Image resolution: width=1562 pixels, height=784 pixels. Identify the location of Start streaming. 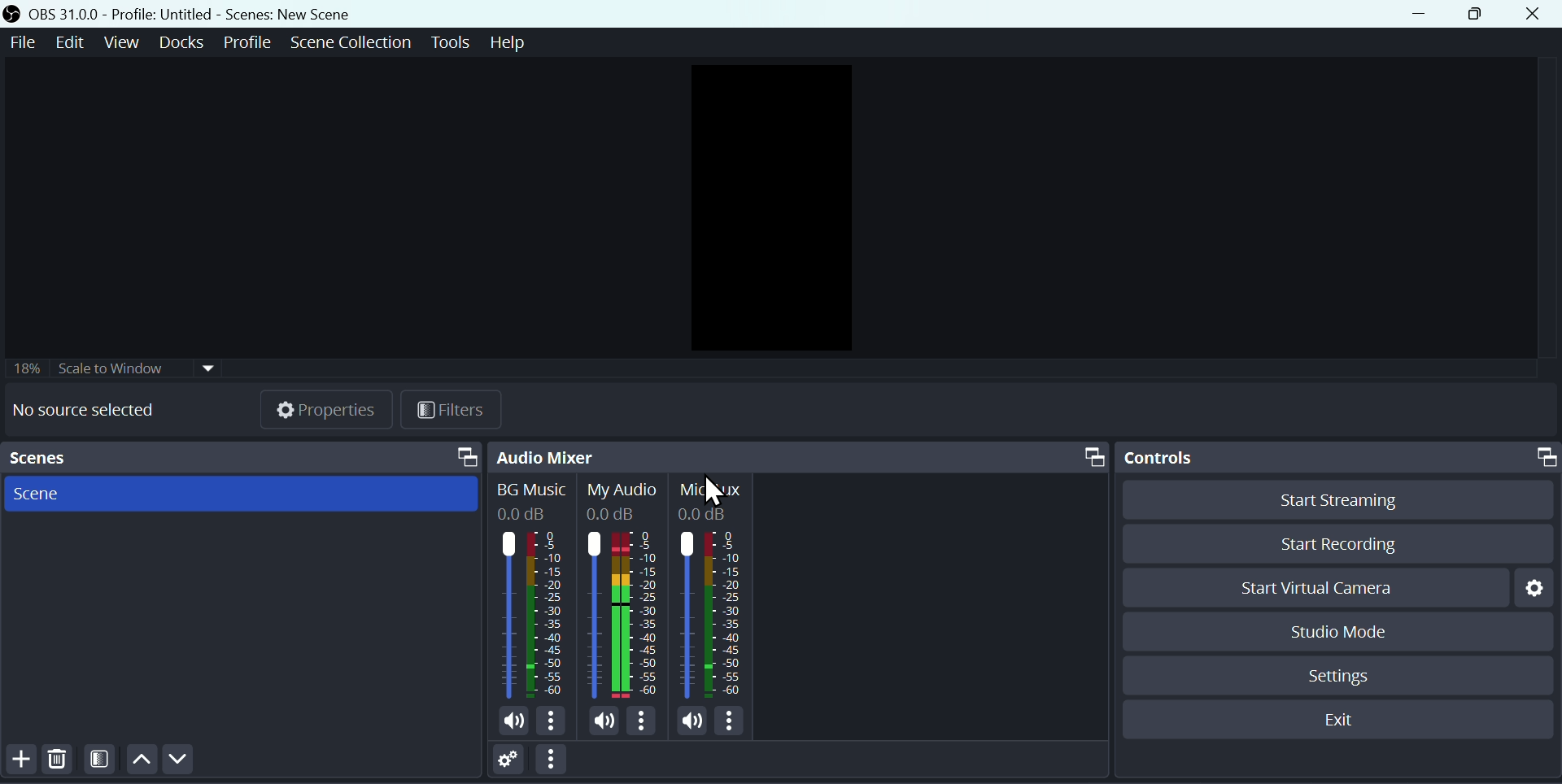
(1327, 504).